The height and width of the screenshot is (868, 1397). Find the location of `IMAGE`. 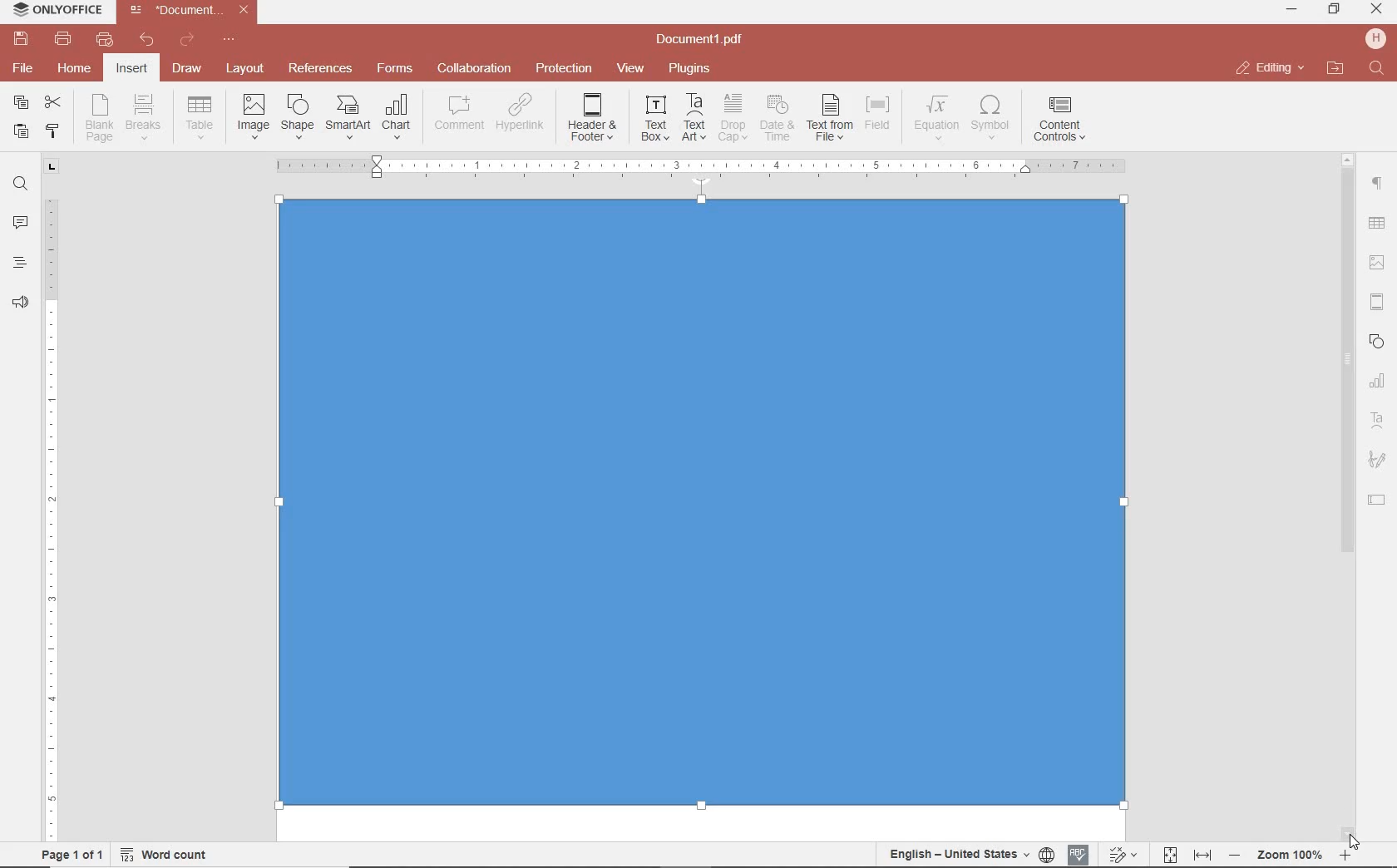

IMAGE is located at coordinates (1378, 264).